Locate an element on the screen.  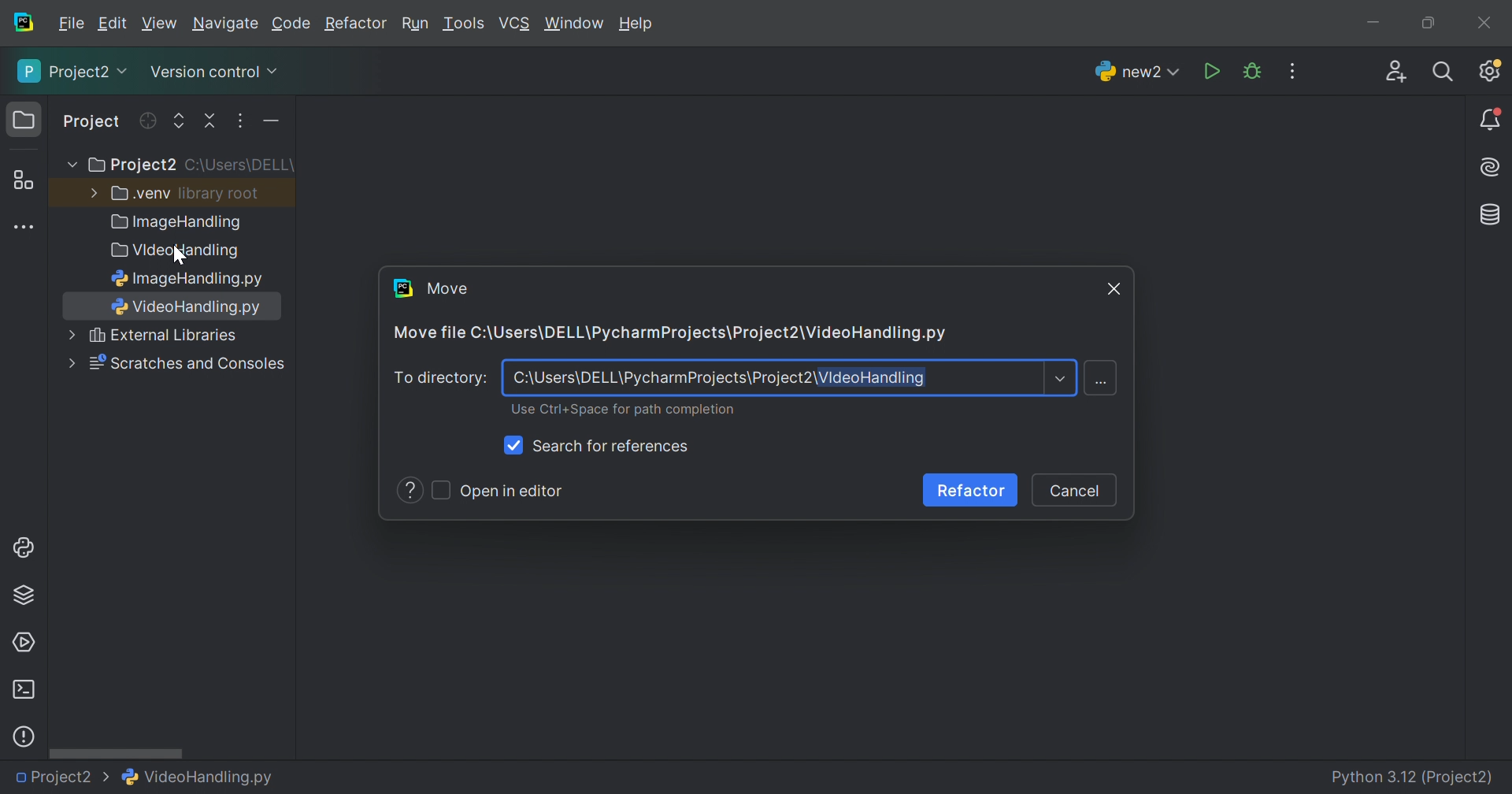
More tool windows is located at coordinates (26, 228).